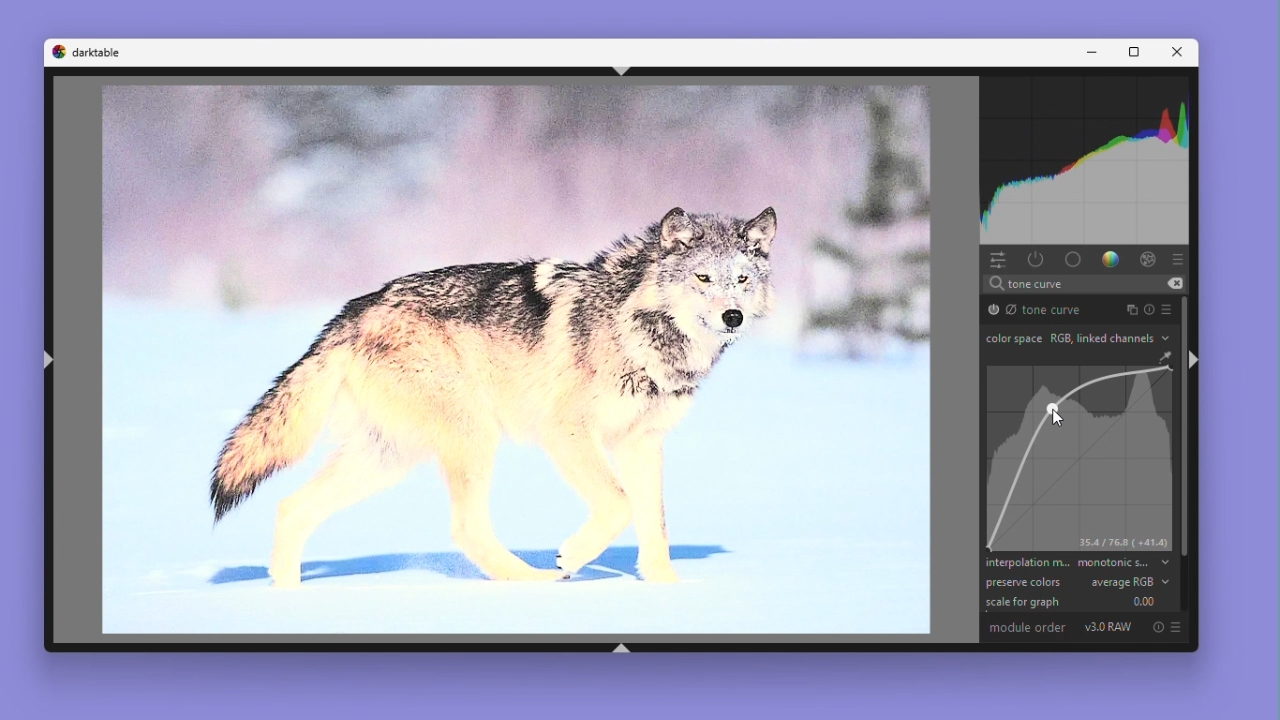 The height and width of the screenshot is (720, 1280). What do you see at coordinates (1176, 627) in the screenshot?
I see `preset` at bounding box center [1176, 627].